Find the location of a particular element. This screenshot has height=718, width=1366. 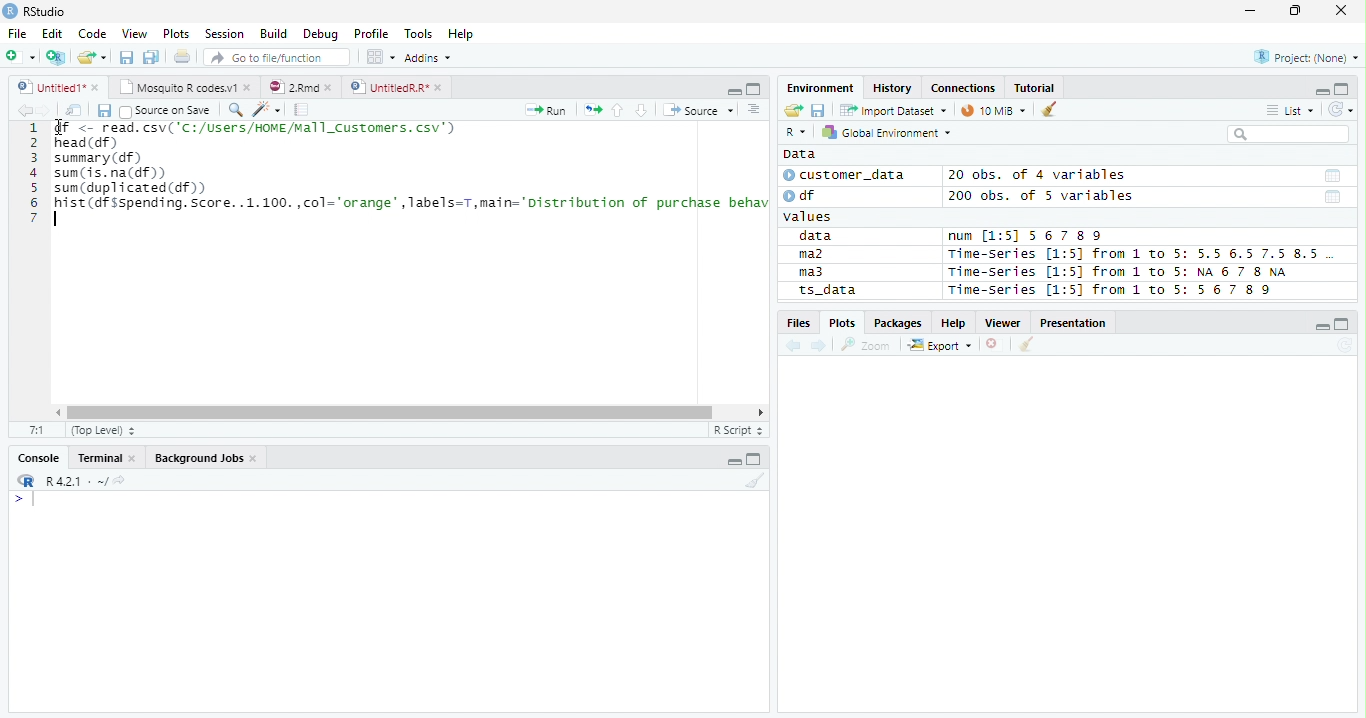

Code Tools is located at coordinates (266, 110).